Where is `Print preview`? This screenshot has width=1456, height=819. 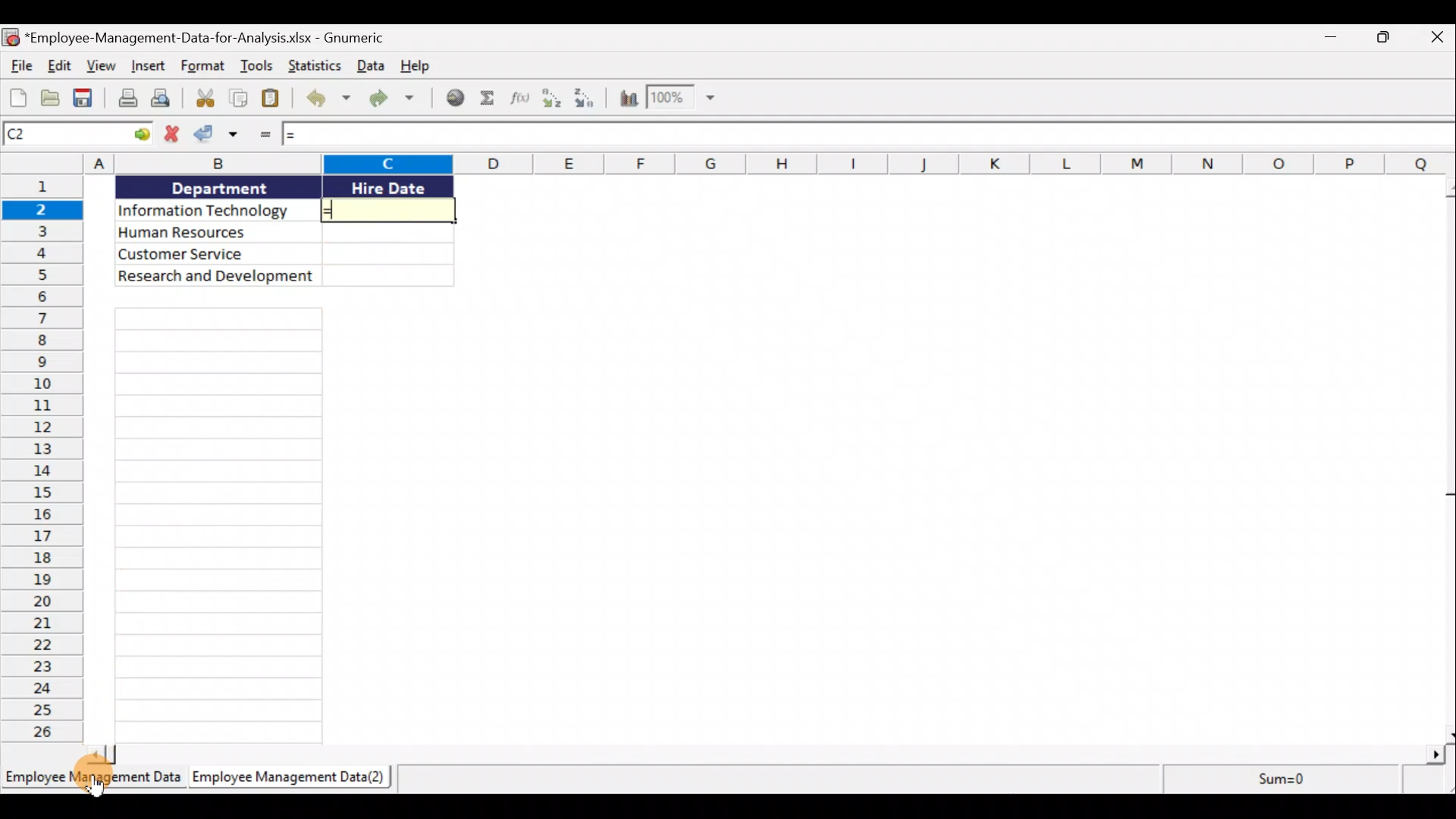
Print preview is located at coordinates (165, 99).